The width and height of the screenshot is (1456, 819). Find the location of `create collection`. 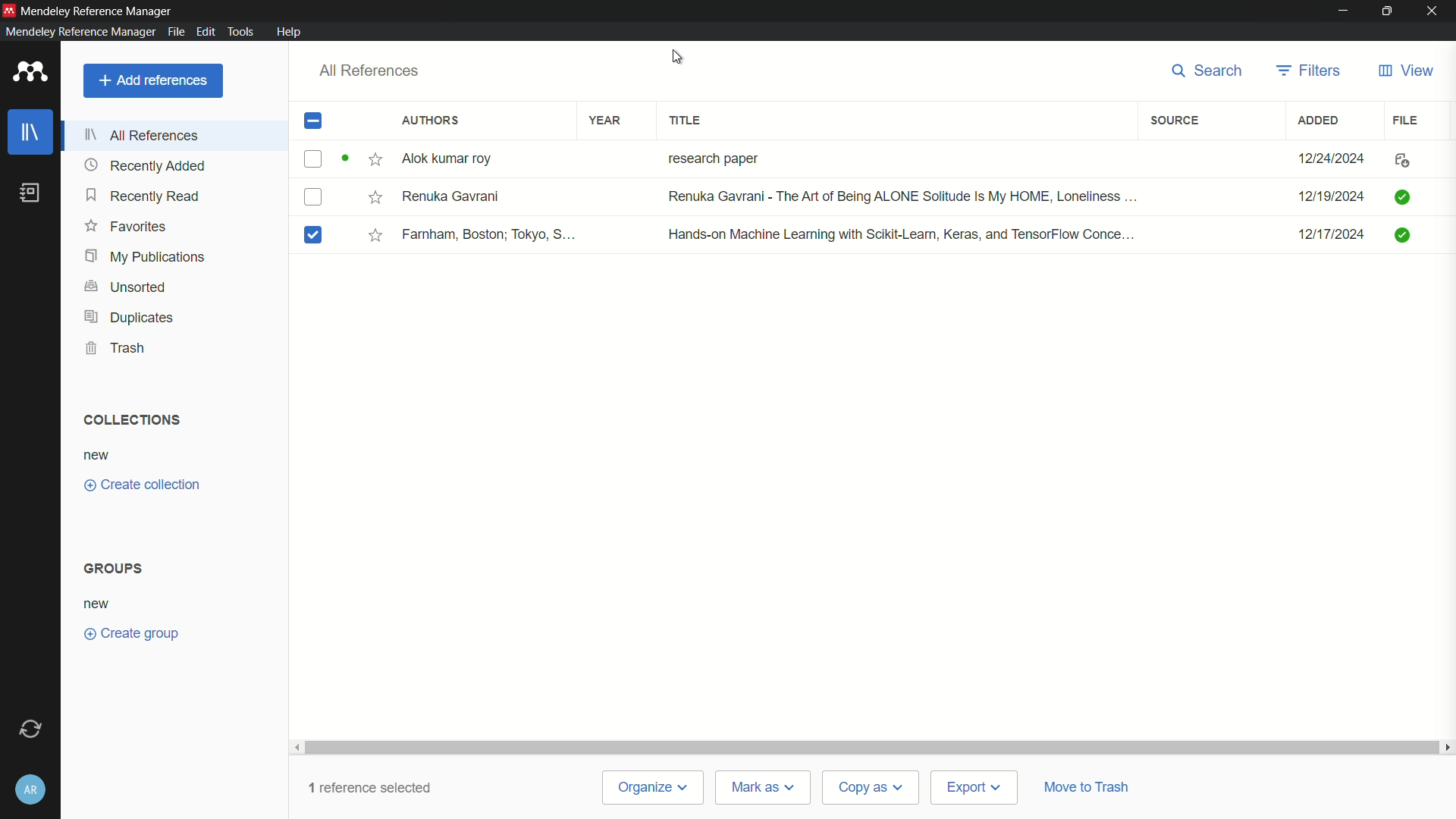

create collection is located at coordinates (140, 485).